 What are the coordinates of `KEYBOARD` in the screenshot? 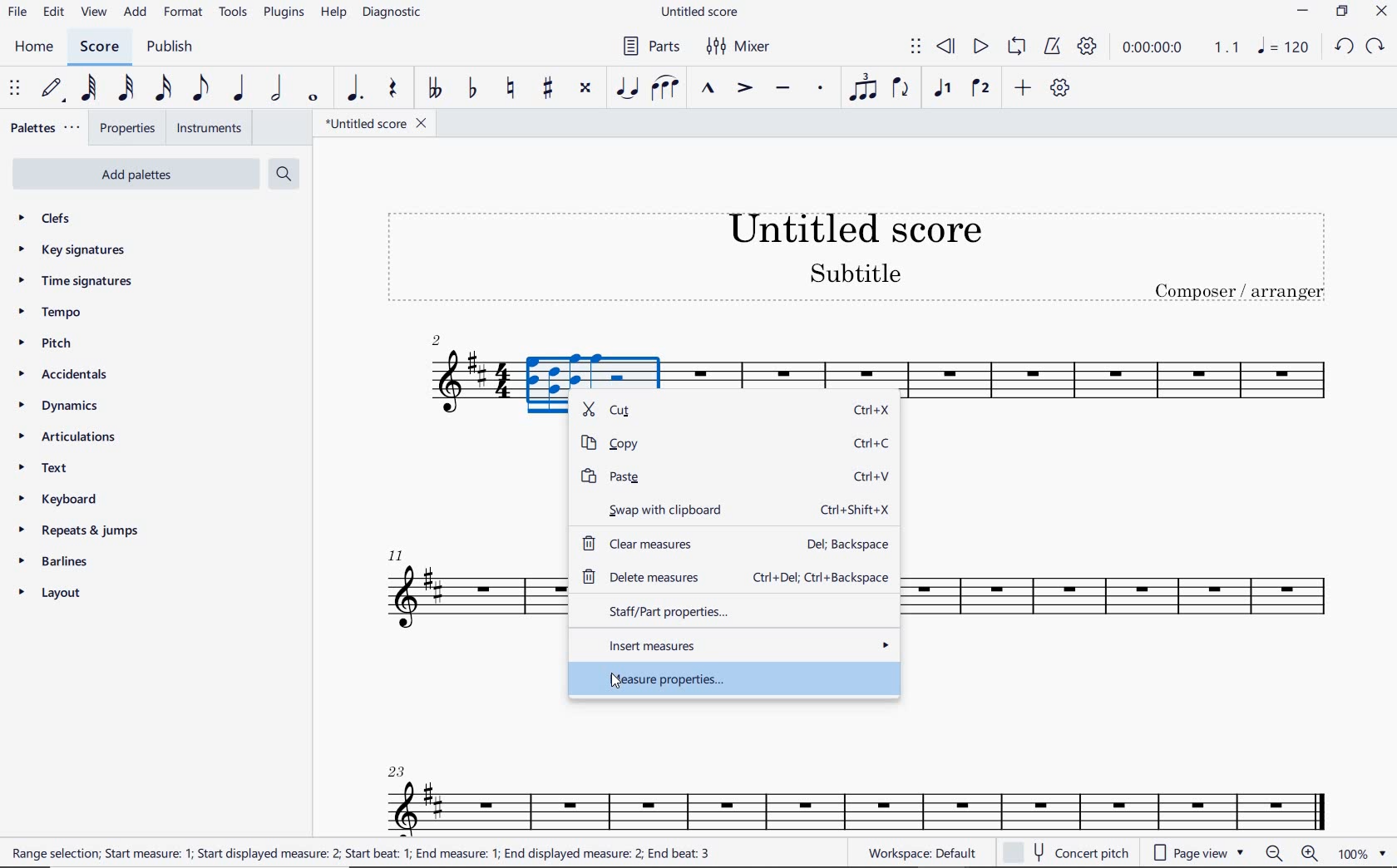 It's located at (72, 501).